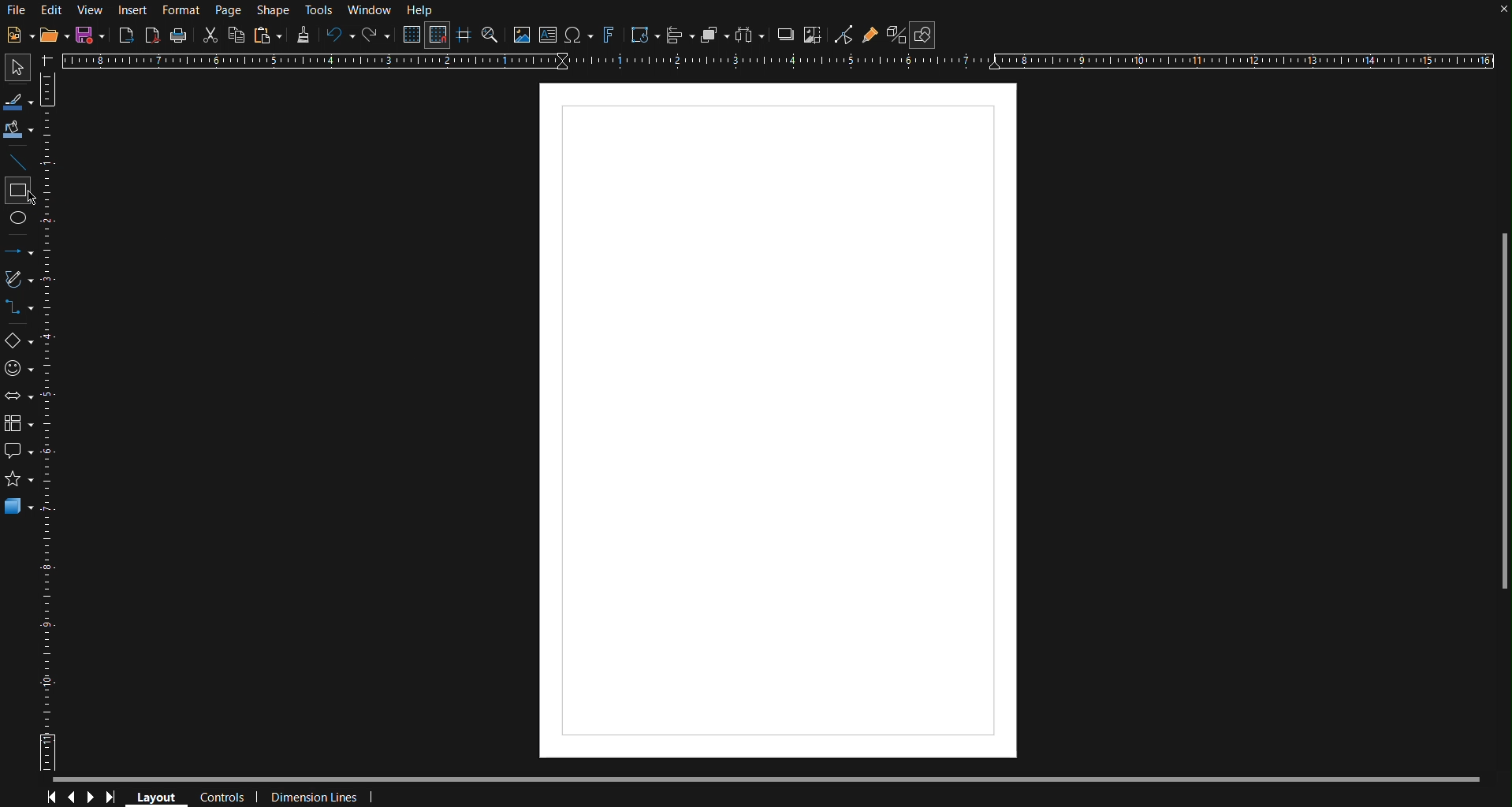  Describe the element at coordinates (20, 278) in the screenshot. I see `Curves and Polygons` at that location.